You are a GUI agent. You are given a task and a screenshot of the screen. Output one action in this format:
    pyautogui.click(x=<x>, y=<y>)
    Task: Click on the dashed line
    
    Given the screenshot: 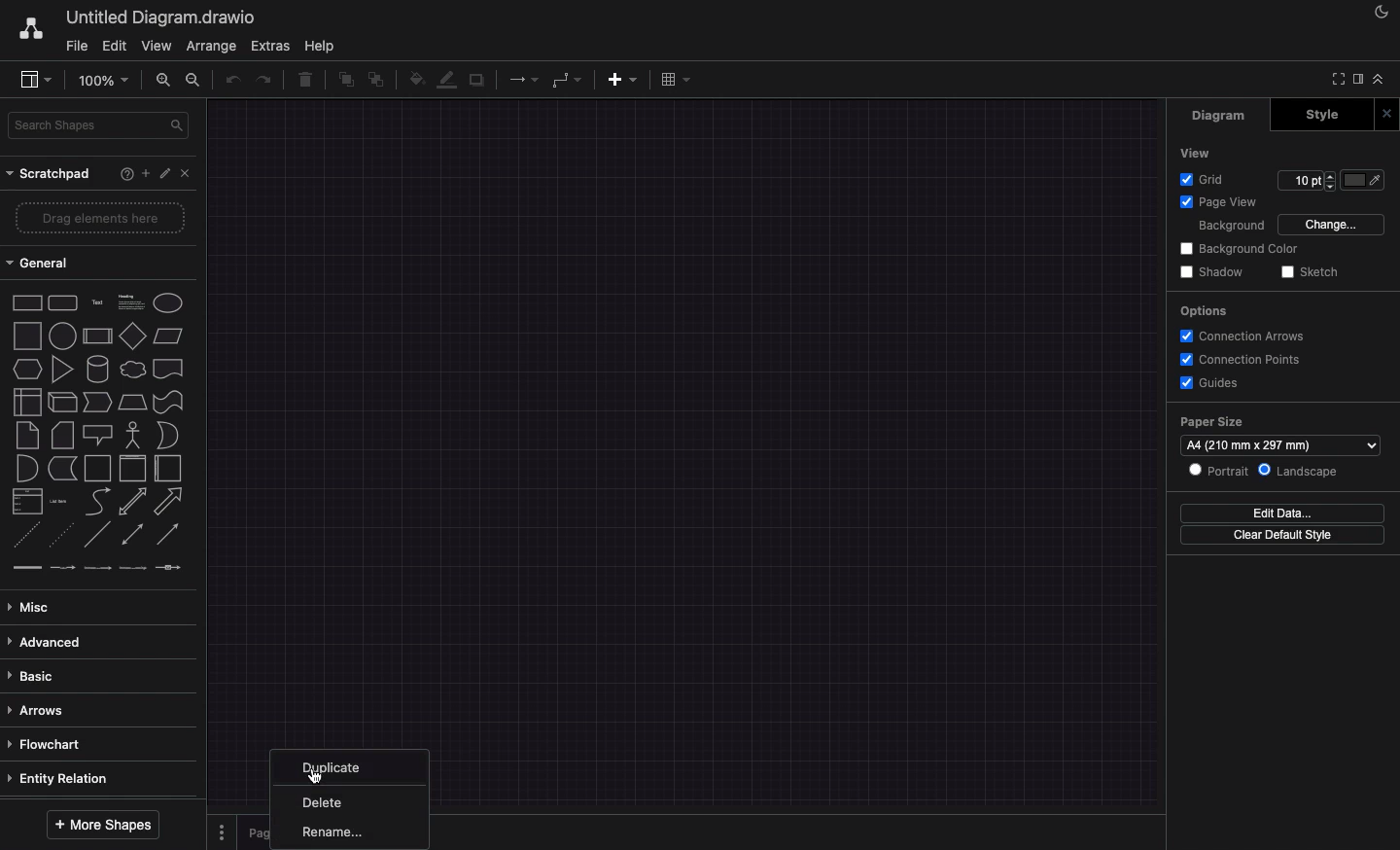 What is the action you would take?
    pyautogui.click(x=25, y=534)
    